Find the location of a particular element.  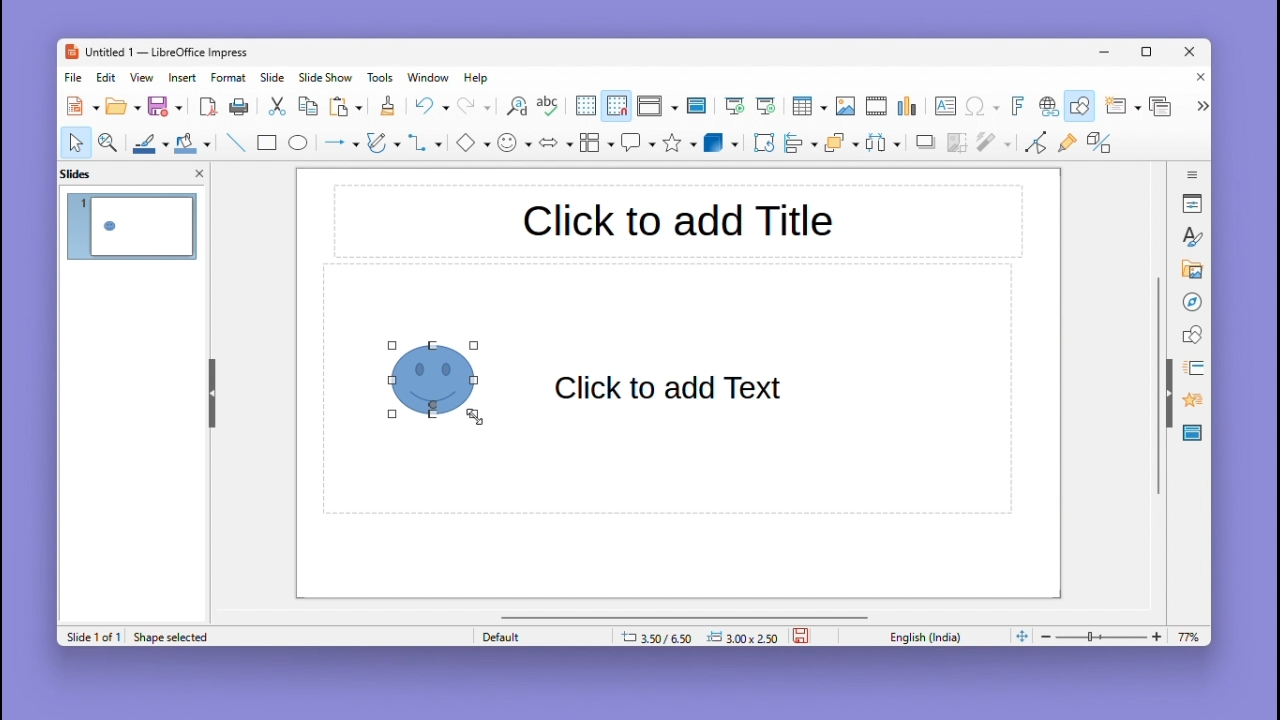

Draw function is located at coordinates (1082, 106).